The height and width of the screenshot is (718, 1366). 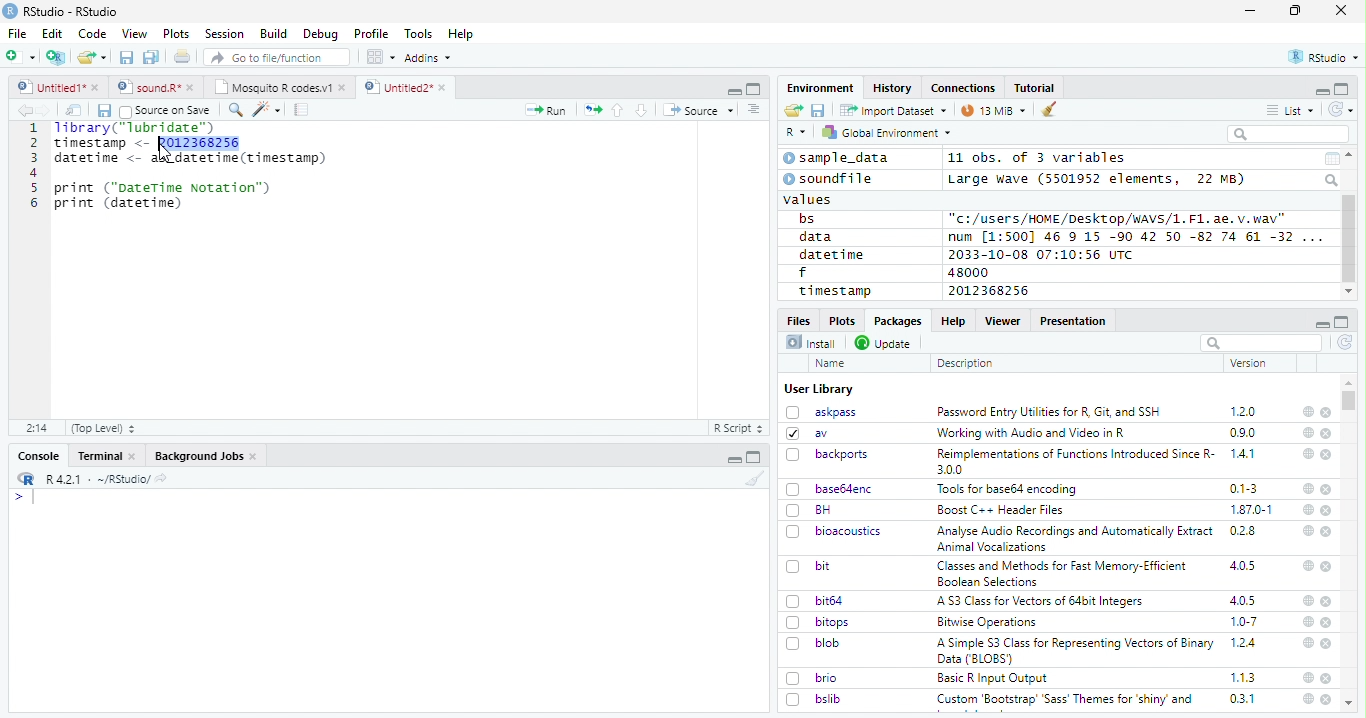 What do you see at coordinates (819, 111) in the screenshot?
I see `Save` at bounding box center [819, 111].